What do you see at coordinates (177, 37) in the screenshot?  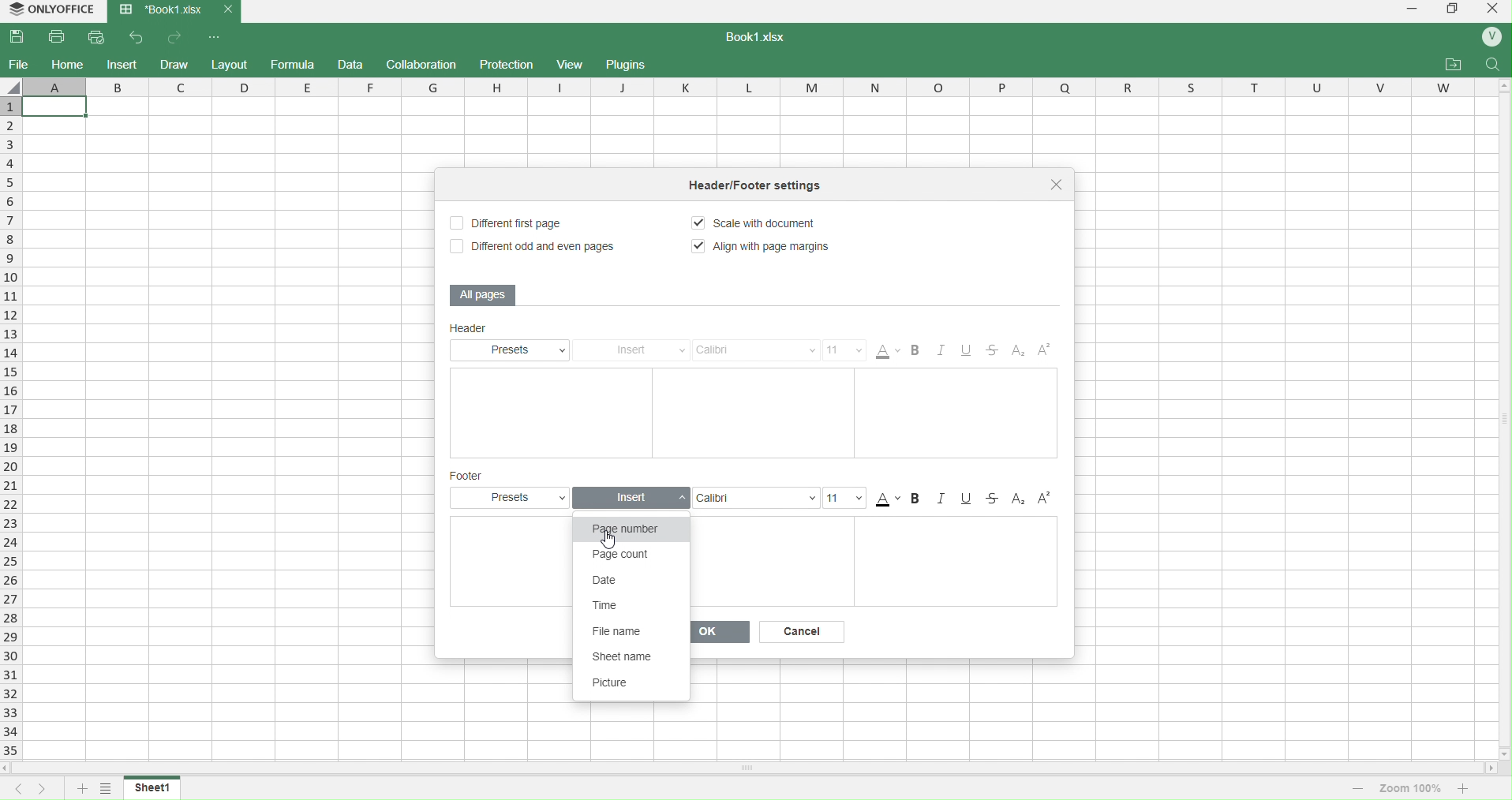 I see `forward` at bounding box center [177, 37].